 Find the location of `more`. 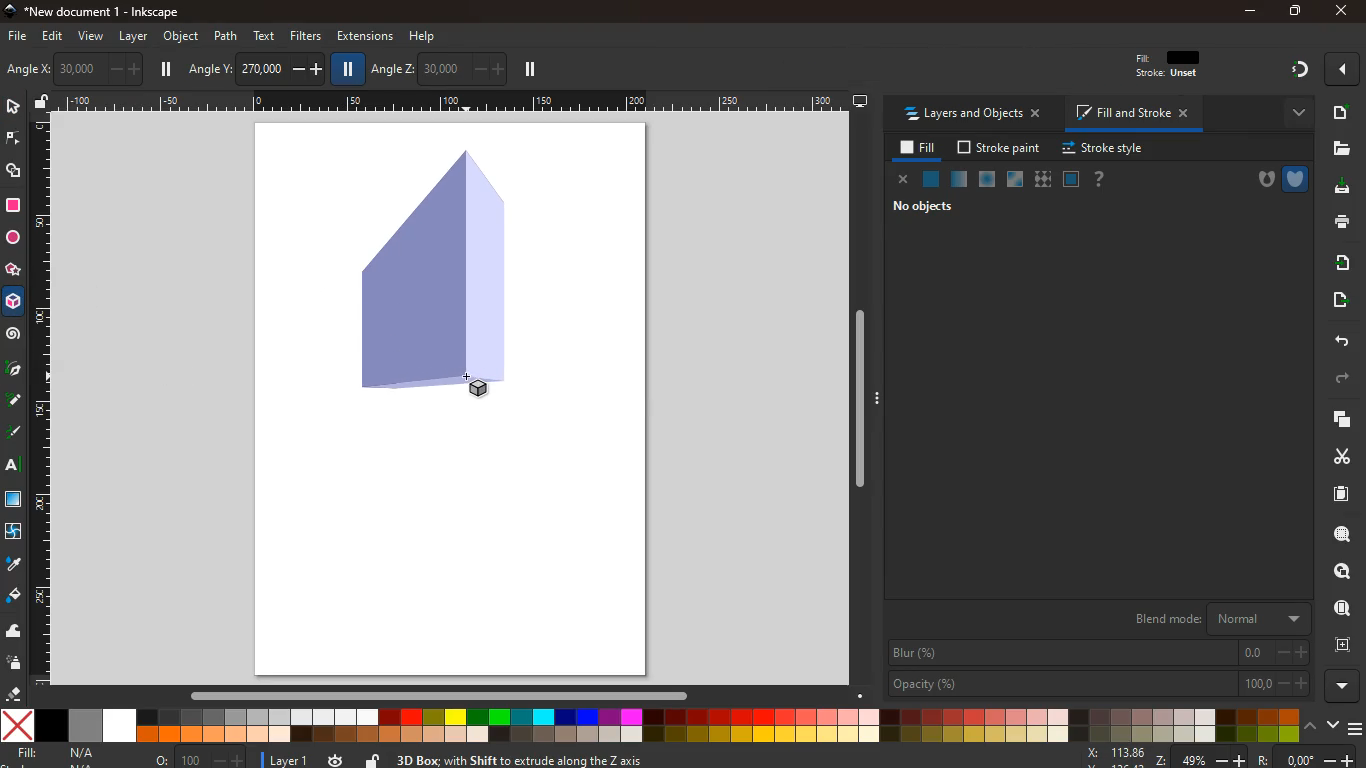

more is located at coordinates (1341, 685).